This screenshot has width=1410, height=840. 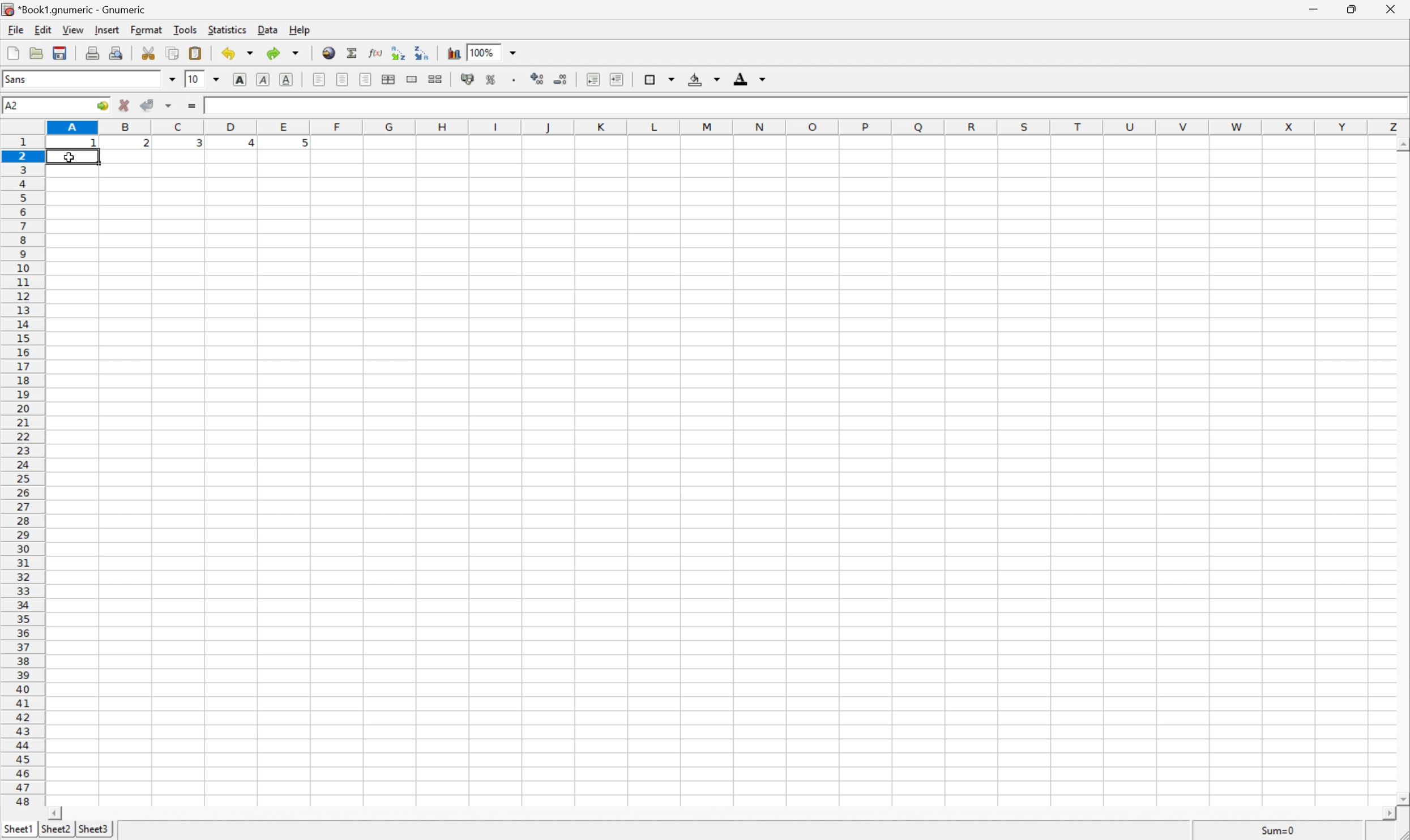 What do you see at coordinates (615, 79) in the screenshot?
I see `increase indent` at bounding box center [615, 79].